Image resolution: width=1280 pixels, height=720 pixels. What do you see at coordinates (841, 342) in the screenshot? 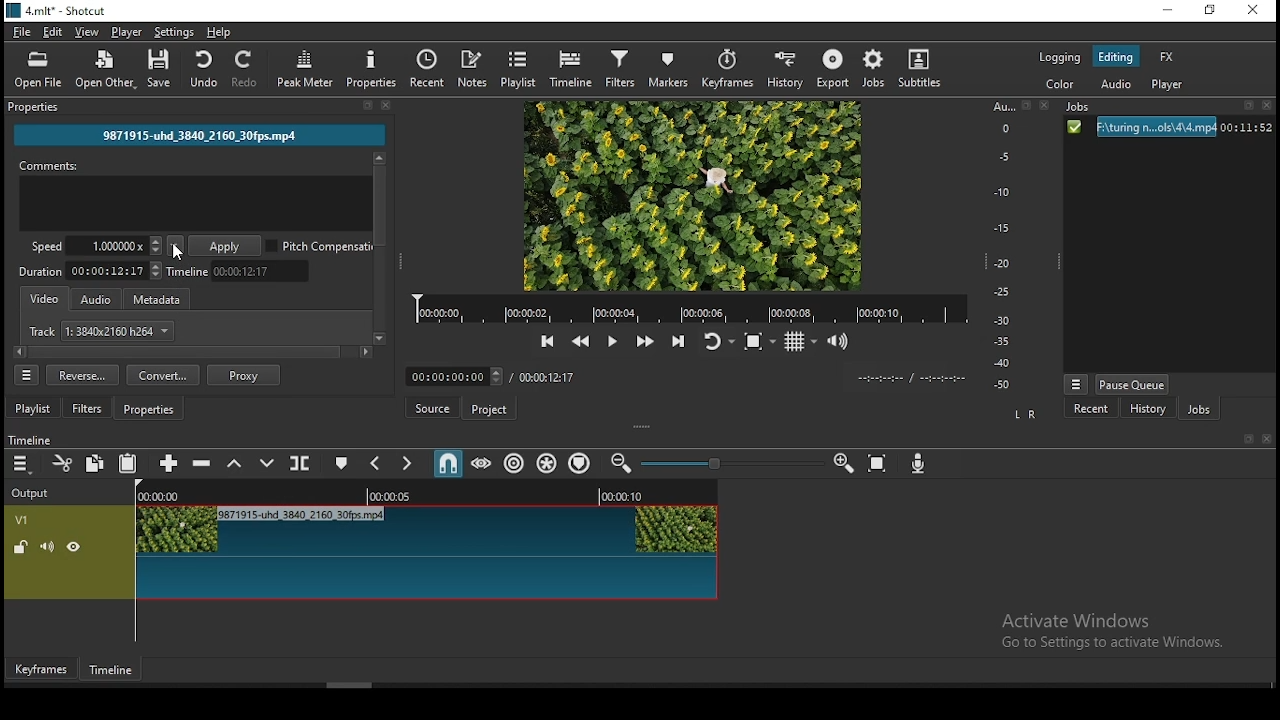
I see `show volume control` at bounding box center [841, 342].